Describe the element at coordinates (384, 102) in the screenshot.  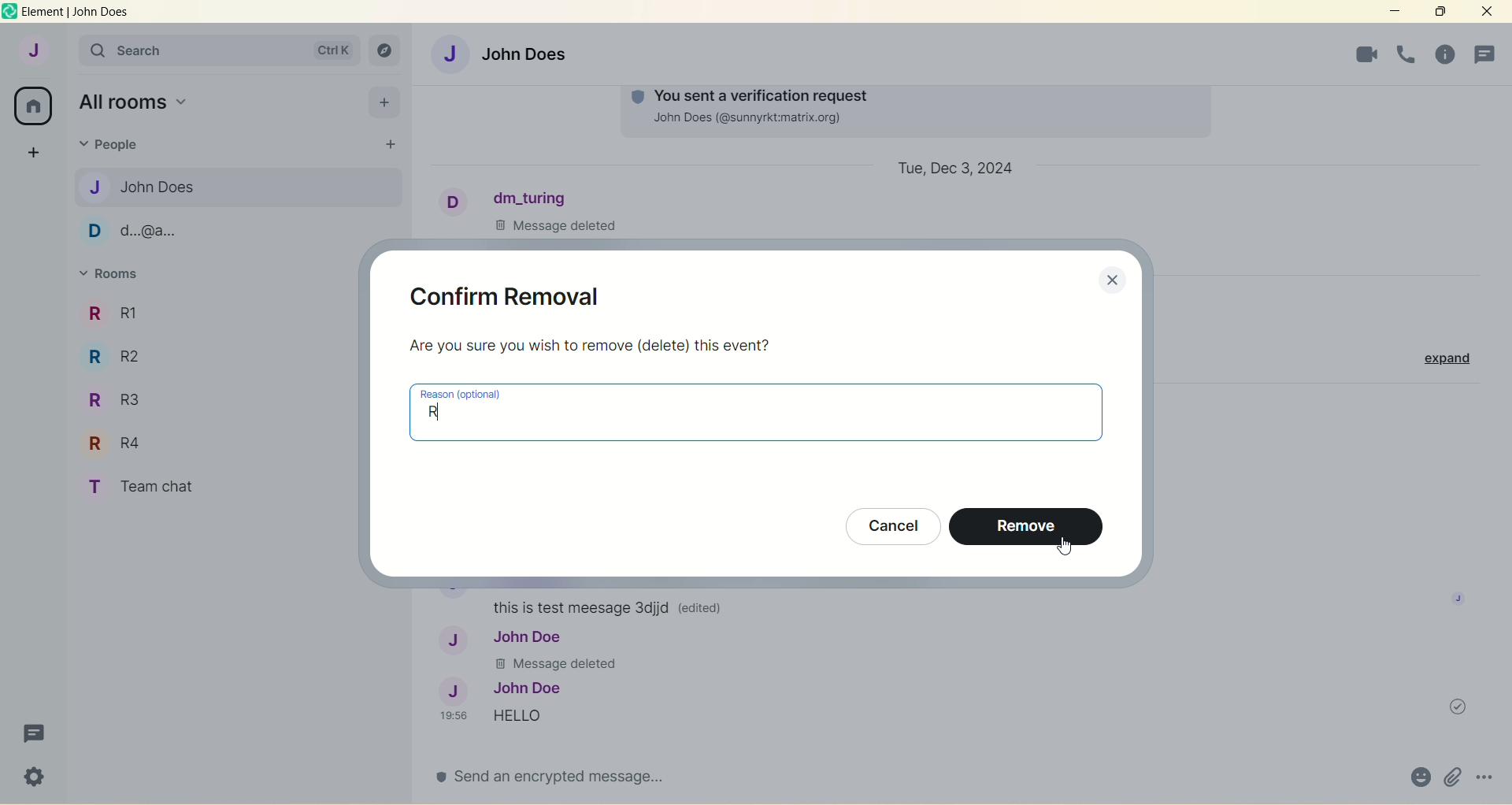
I see `add` at that location.